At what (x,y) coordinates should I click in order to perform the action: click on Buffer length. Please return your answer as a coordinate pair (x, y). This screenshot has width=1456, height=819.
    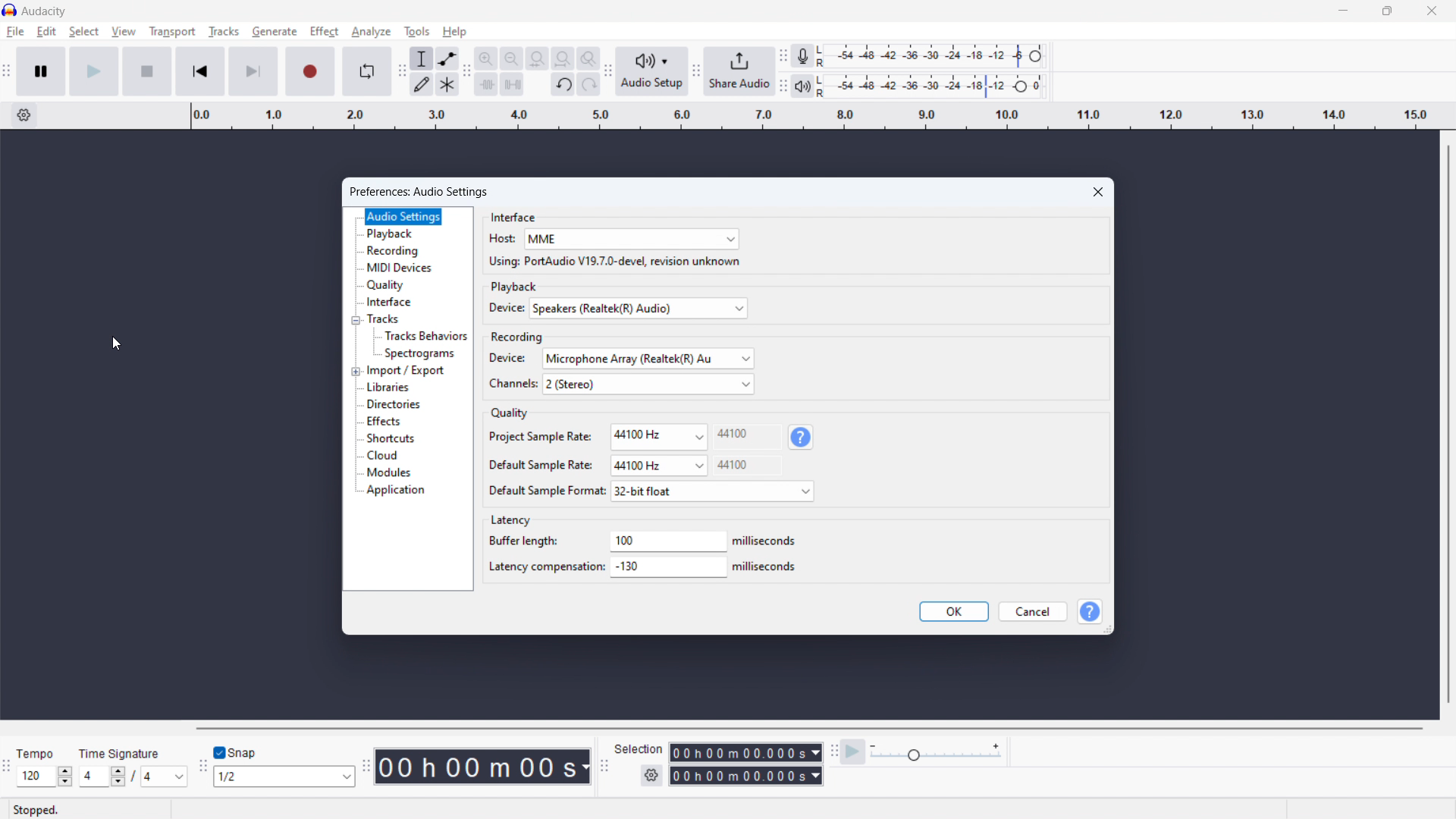
    Looking at the image, I should click on (523, 544).